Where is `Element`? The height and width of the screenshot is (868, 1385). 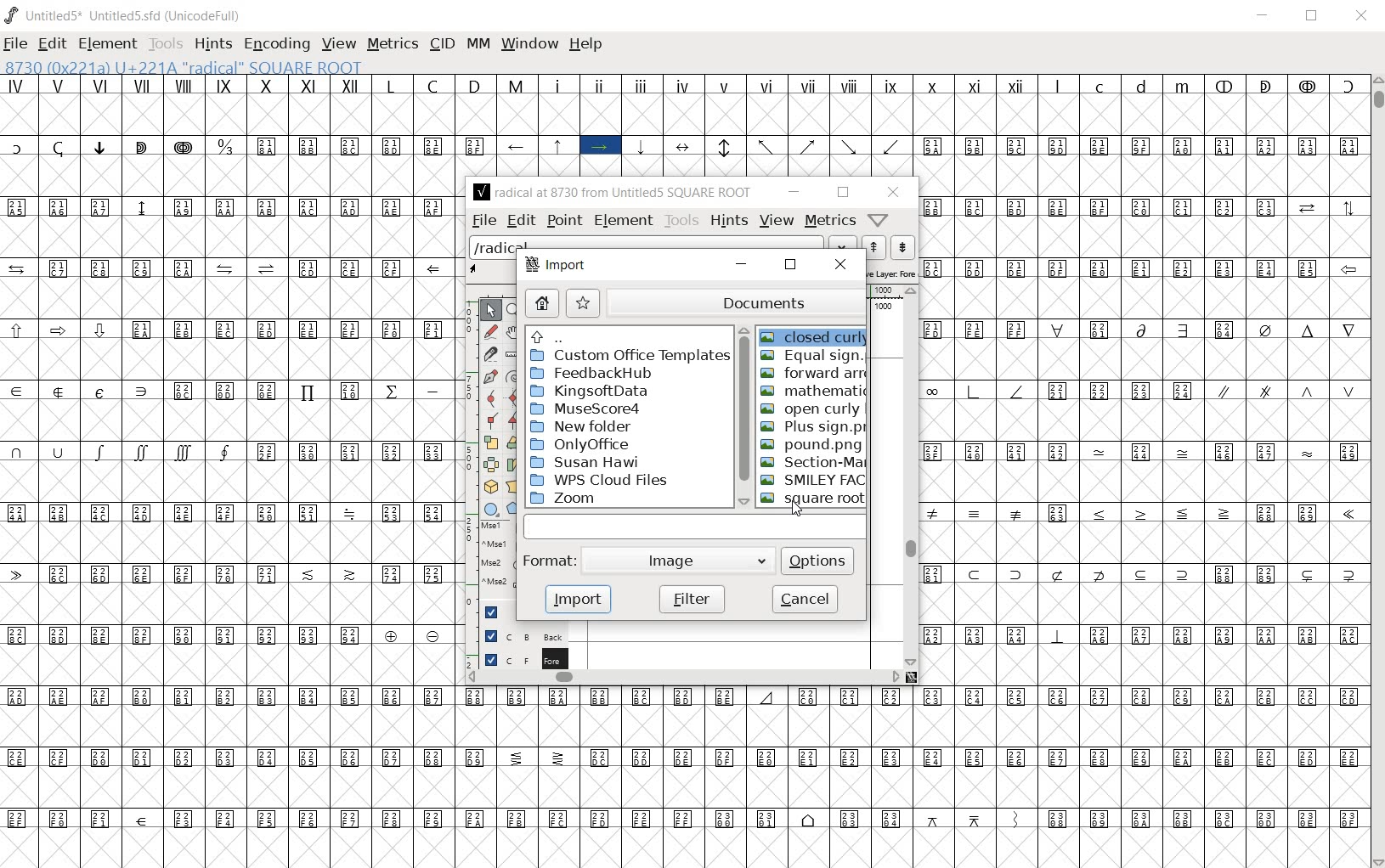
Element is located at coordinates (625, 221).